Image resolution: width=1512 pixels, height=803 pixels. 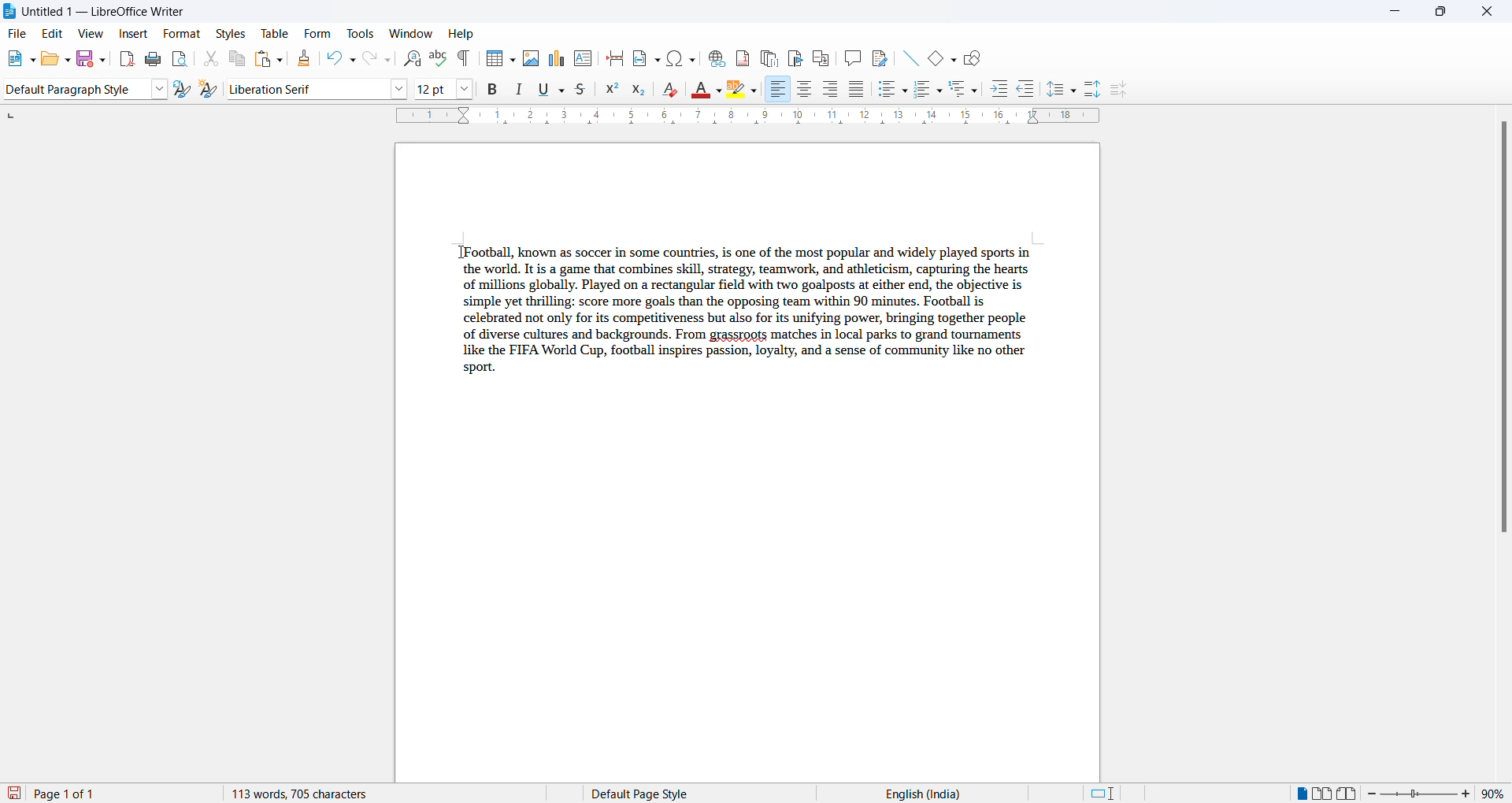 What do you see at coordinates (1470, 794) in the screenshot?
I see `increase zoom` at bounding box center [1470, 794].